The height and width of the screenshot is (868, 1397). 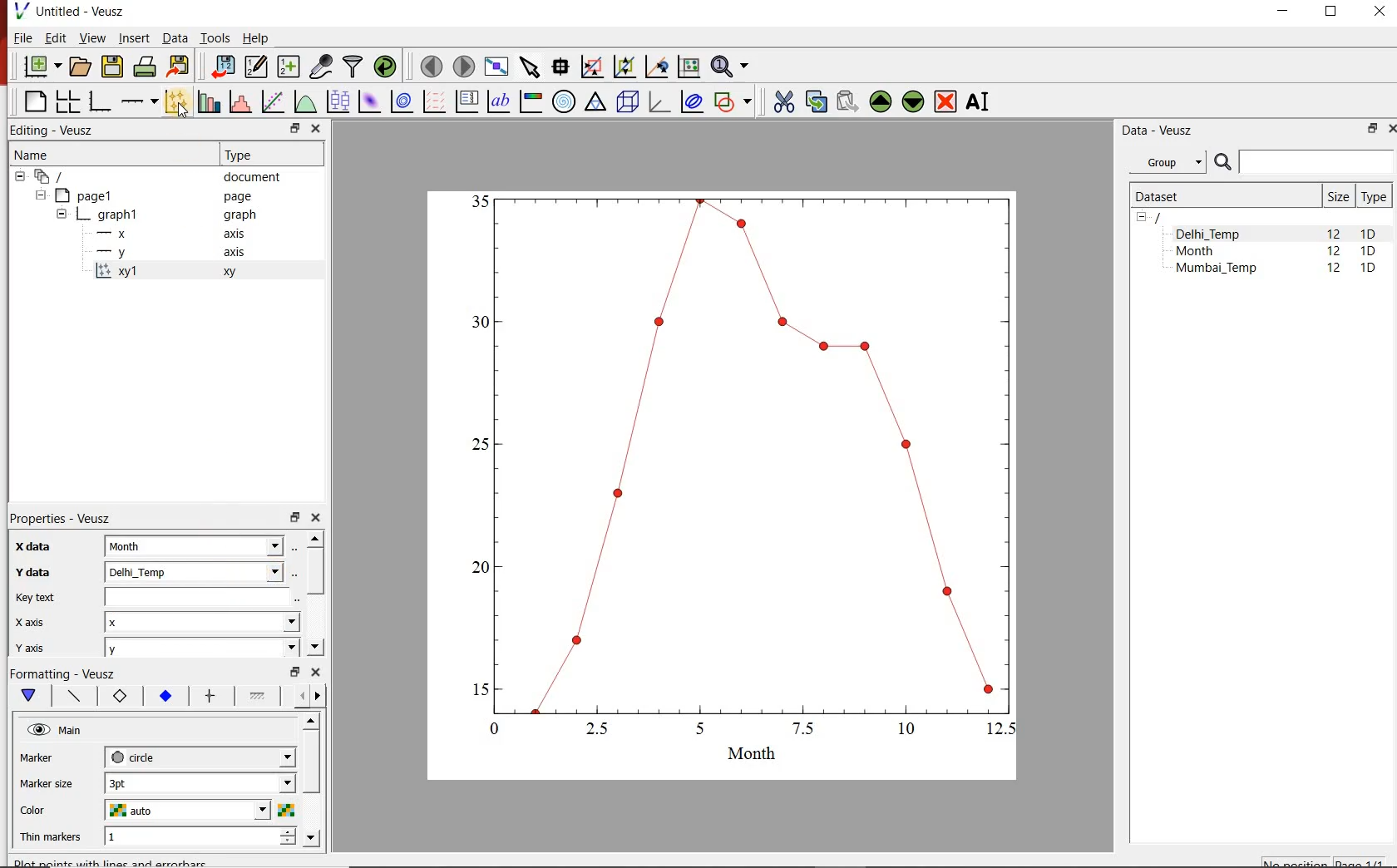 I want to click on blank page, so click(x=32, y=101).